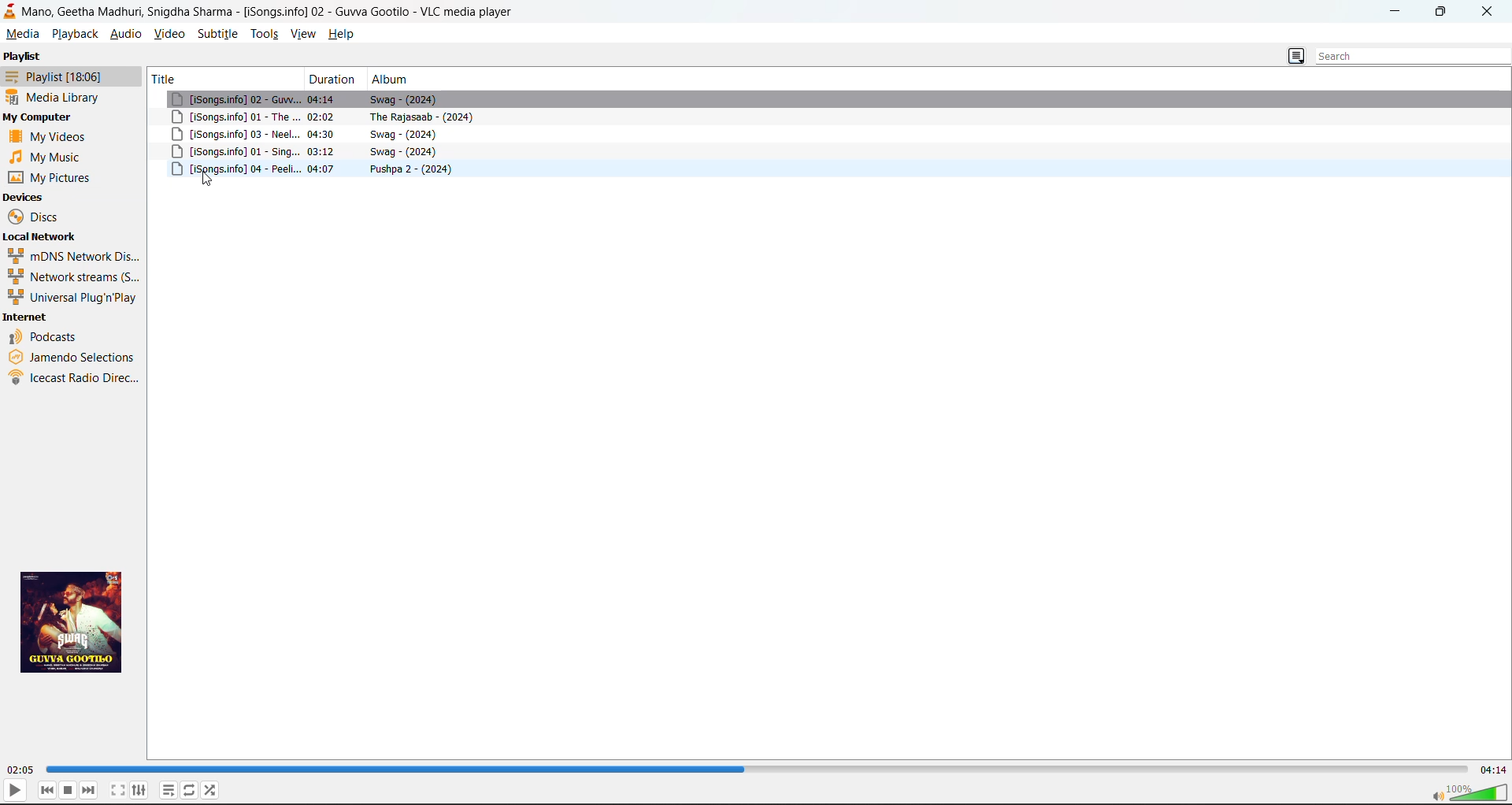 This screenshot has height=805, width=1512. What do you see at coordinates (37, 217) in the screenshot?
I see `discs` at bounding box center [37, 217].